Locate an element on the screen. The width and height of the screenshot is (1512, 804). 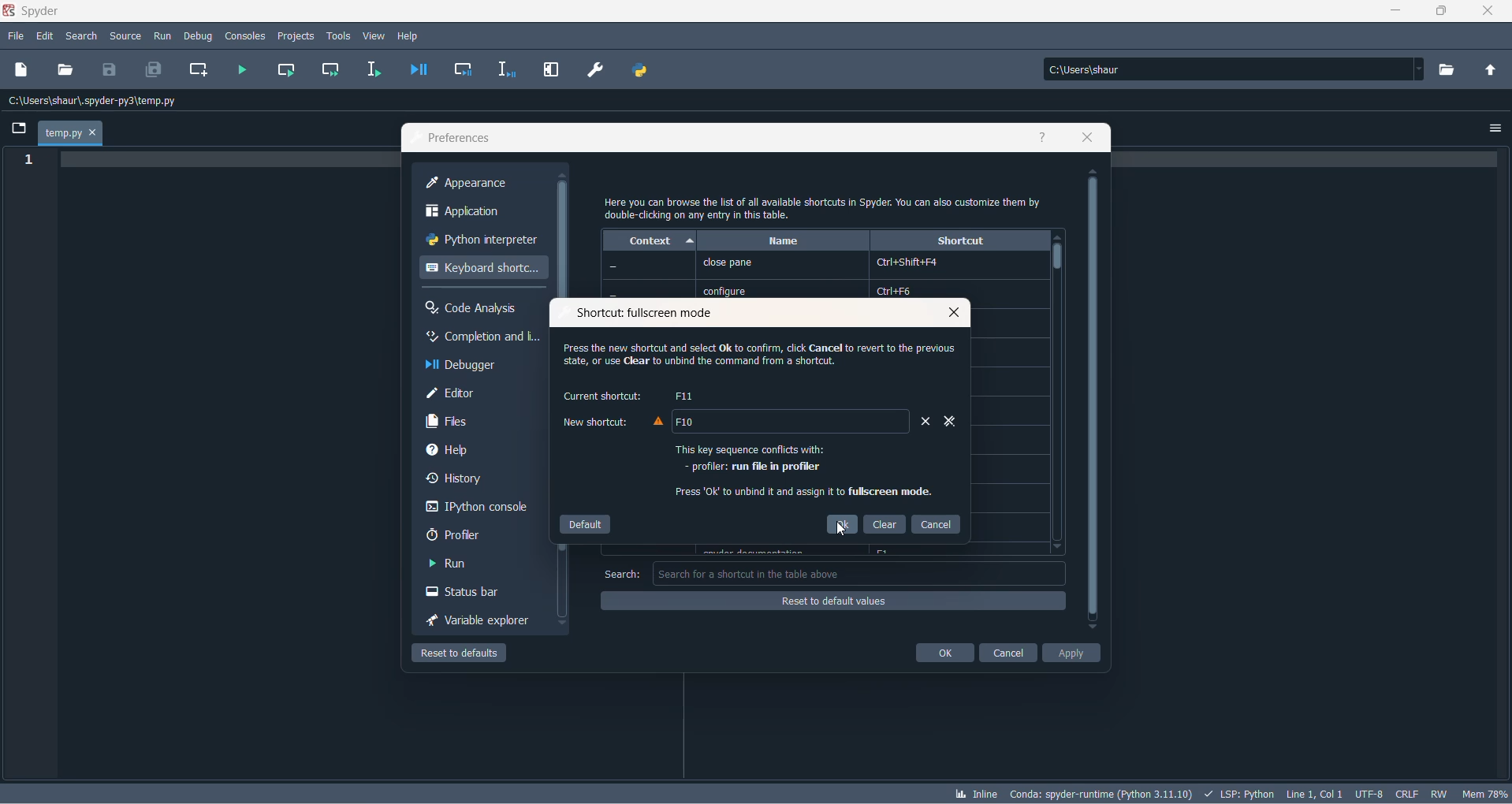
run is located at coordinates (162, 34).